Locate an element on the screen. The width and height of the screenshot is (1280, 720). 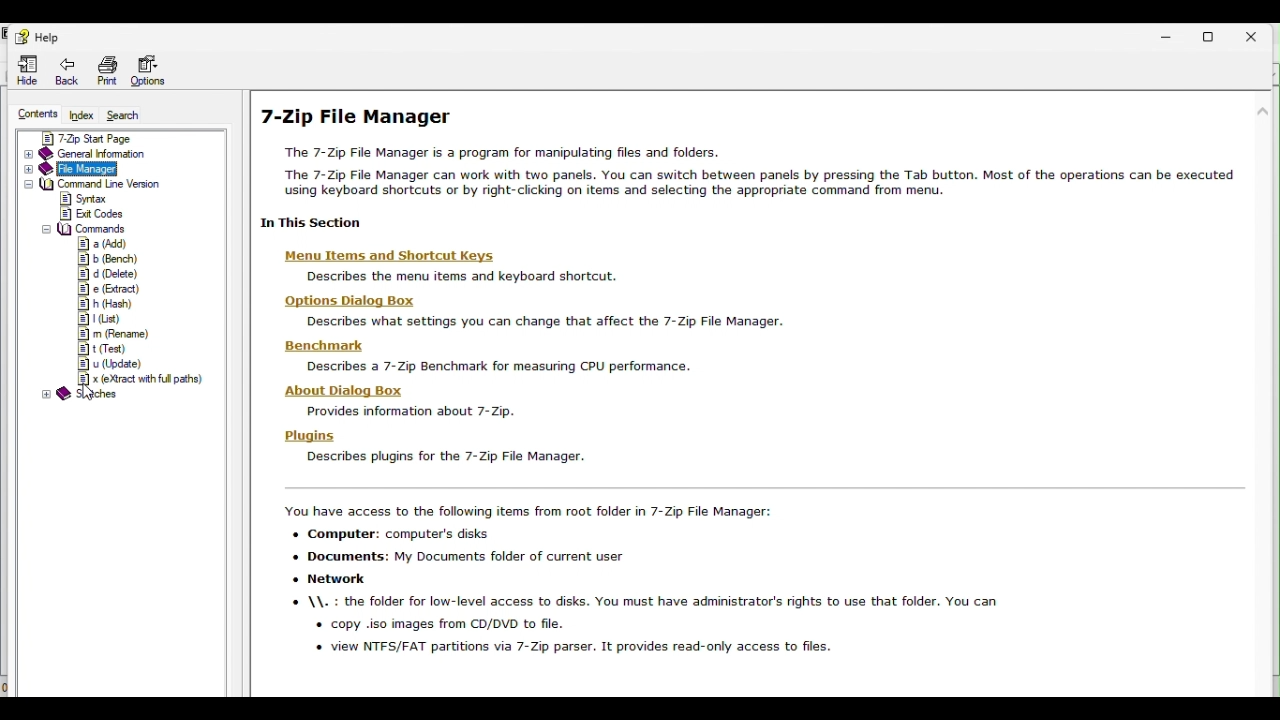
General information is located at coordinates (97, 154).